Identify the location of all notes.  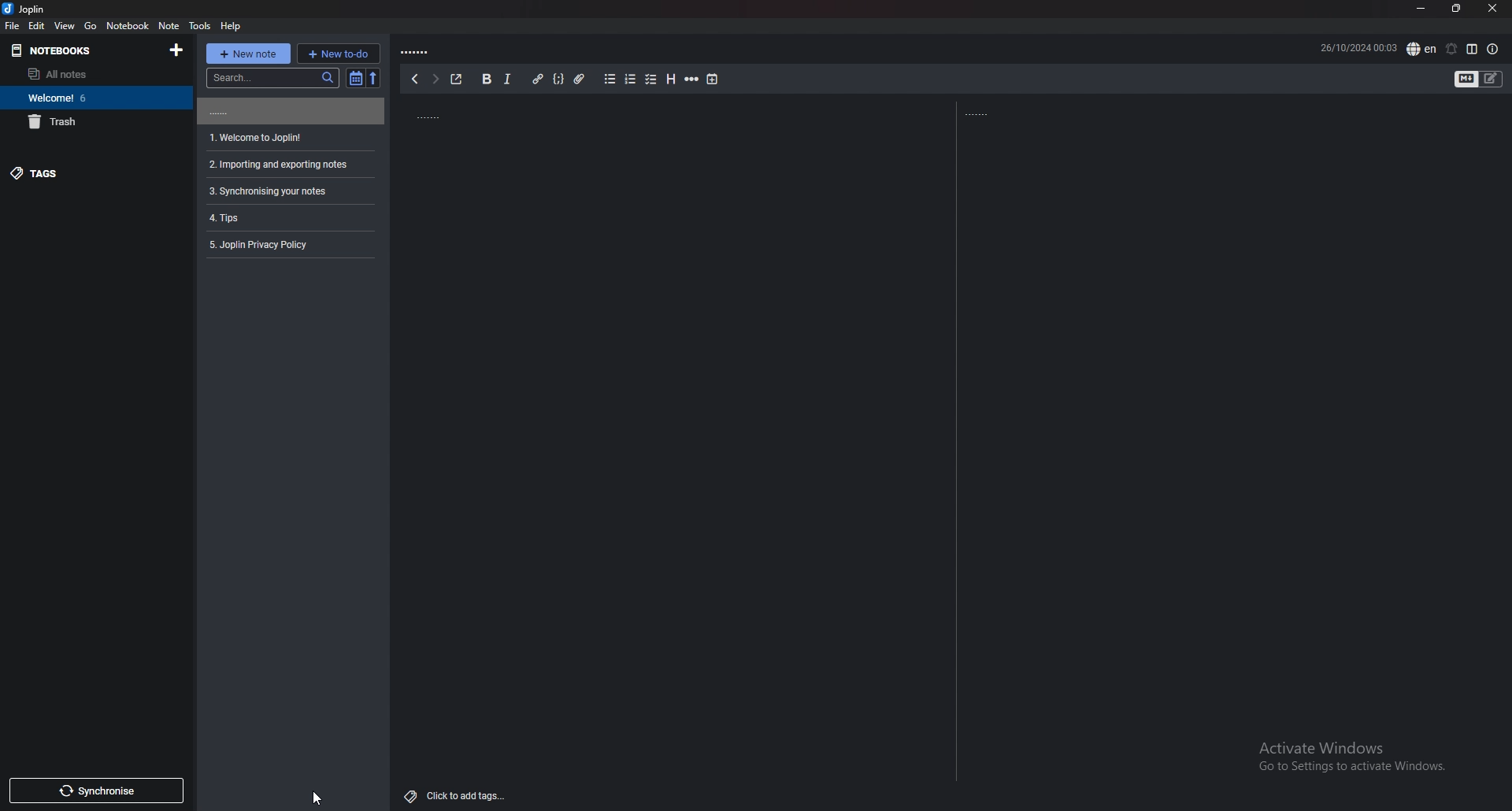
(87, 73).